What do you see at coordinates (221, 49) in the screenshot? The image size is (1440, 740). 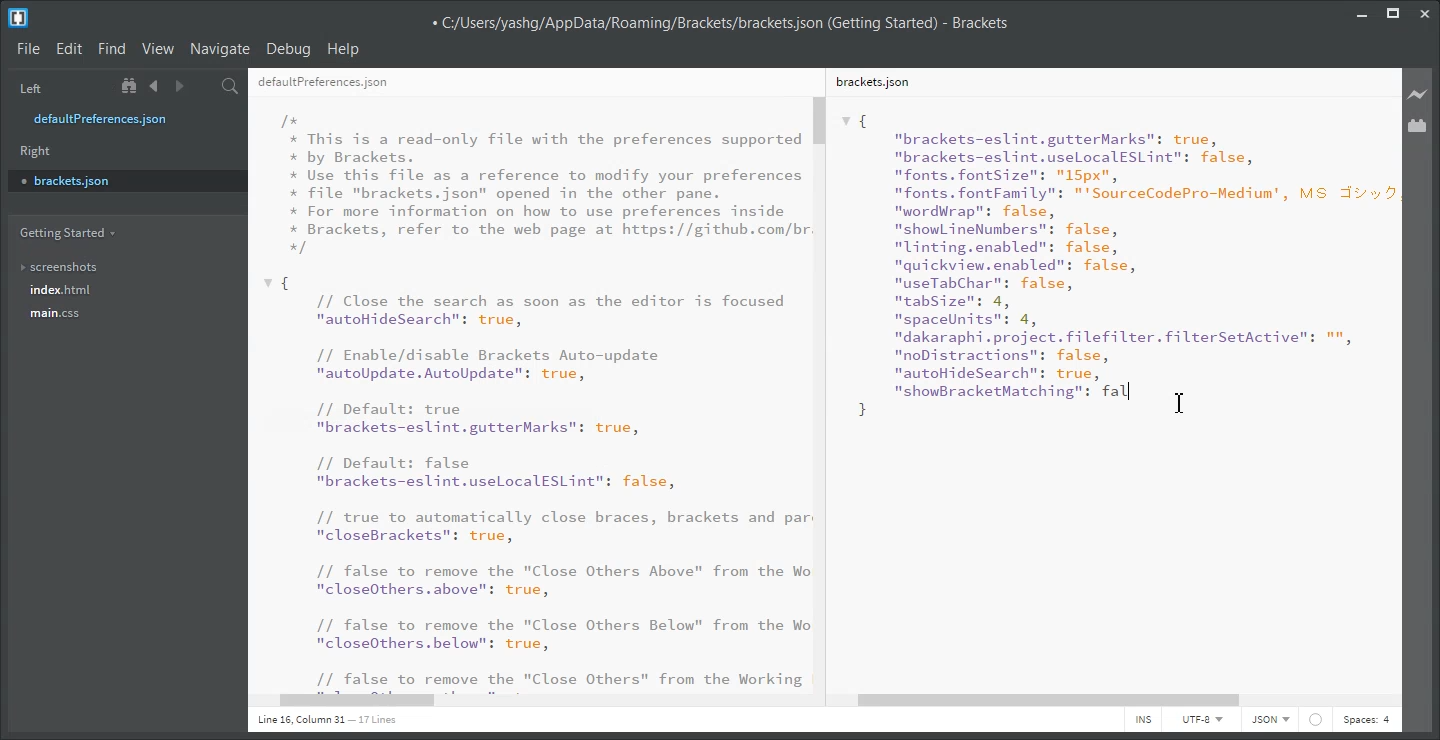 I see `Navigate` at bounding box center [221, 49].